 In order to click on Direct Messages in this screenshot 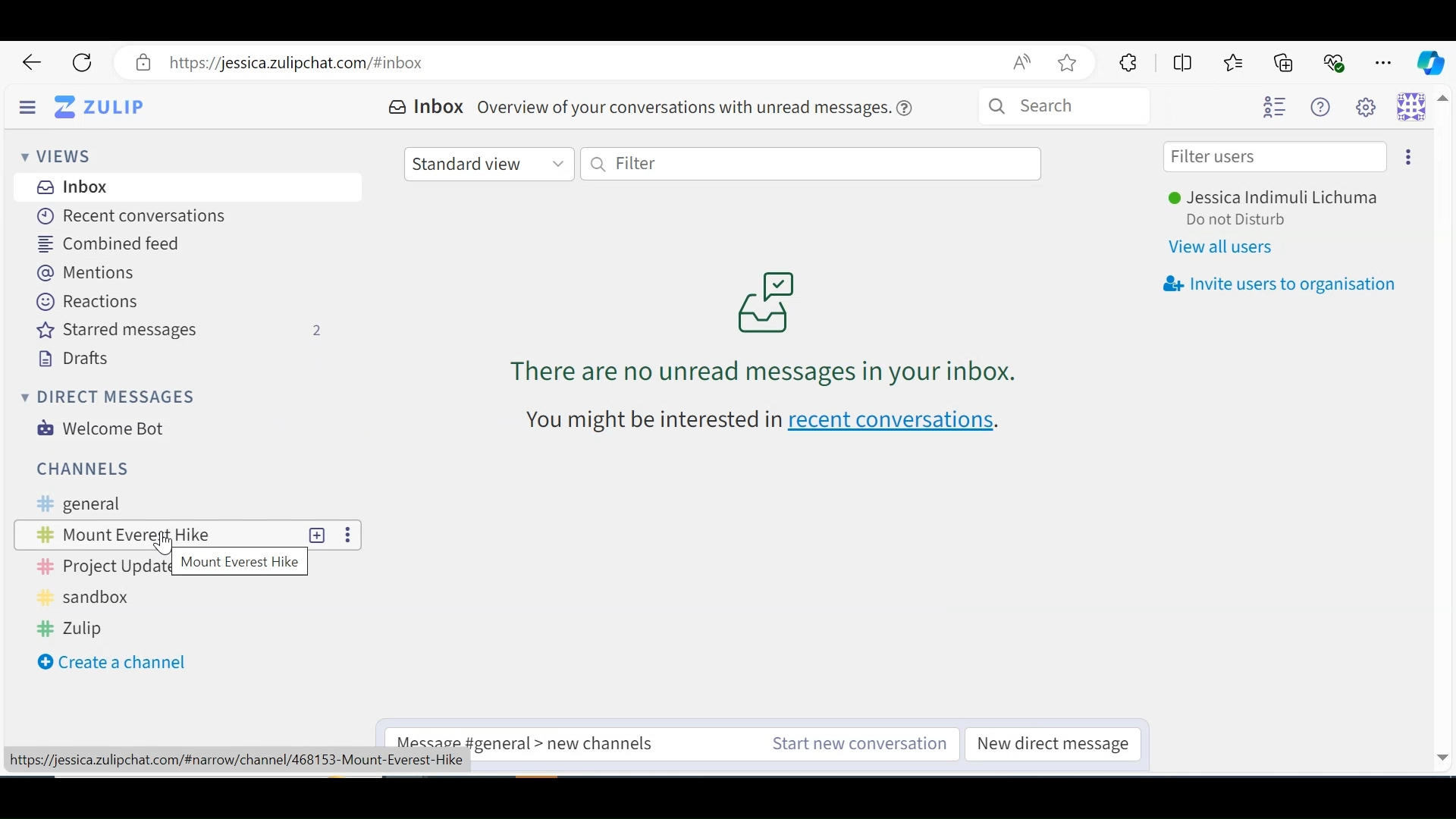, I will do `click(105, 396)`.